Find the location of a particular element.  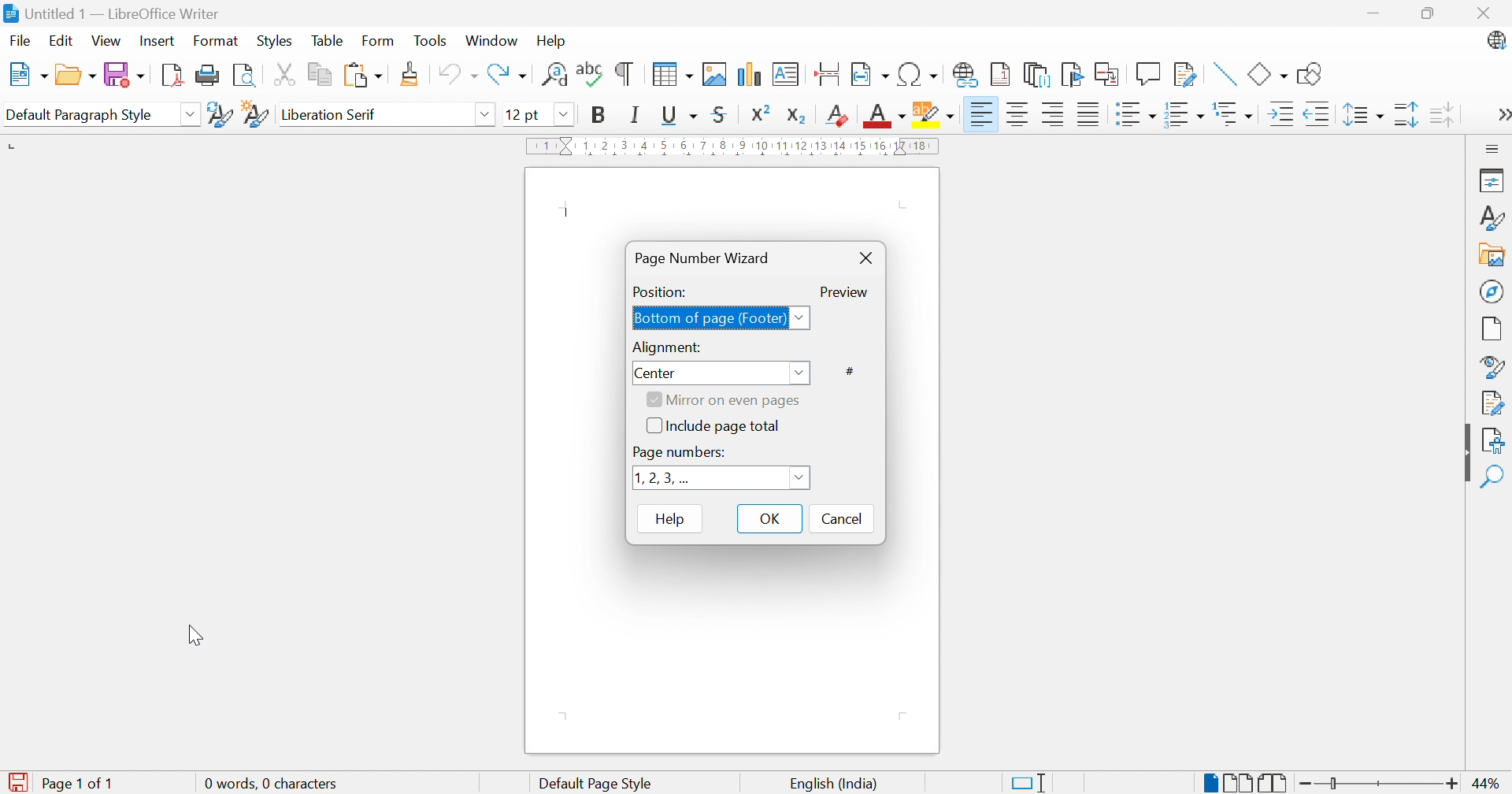

Styles is located at coordinates (274, 42).